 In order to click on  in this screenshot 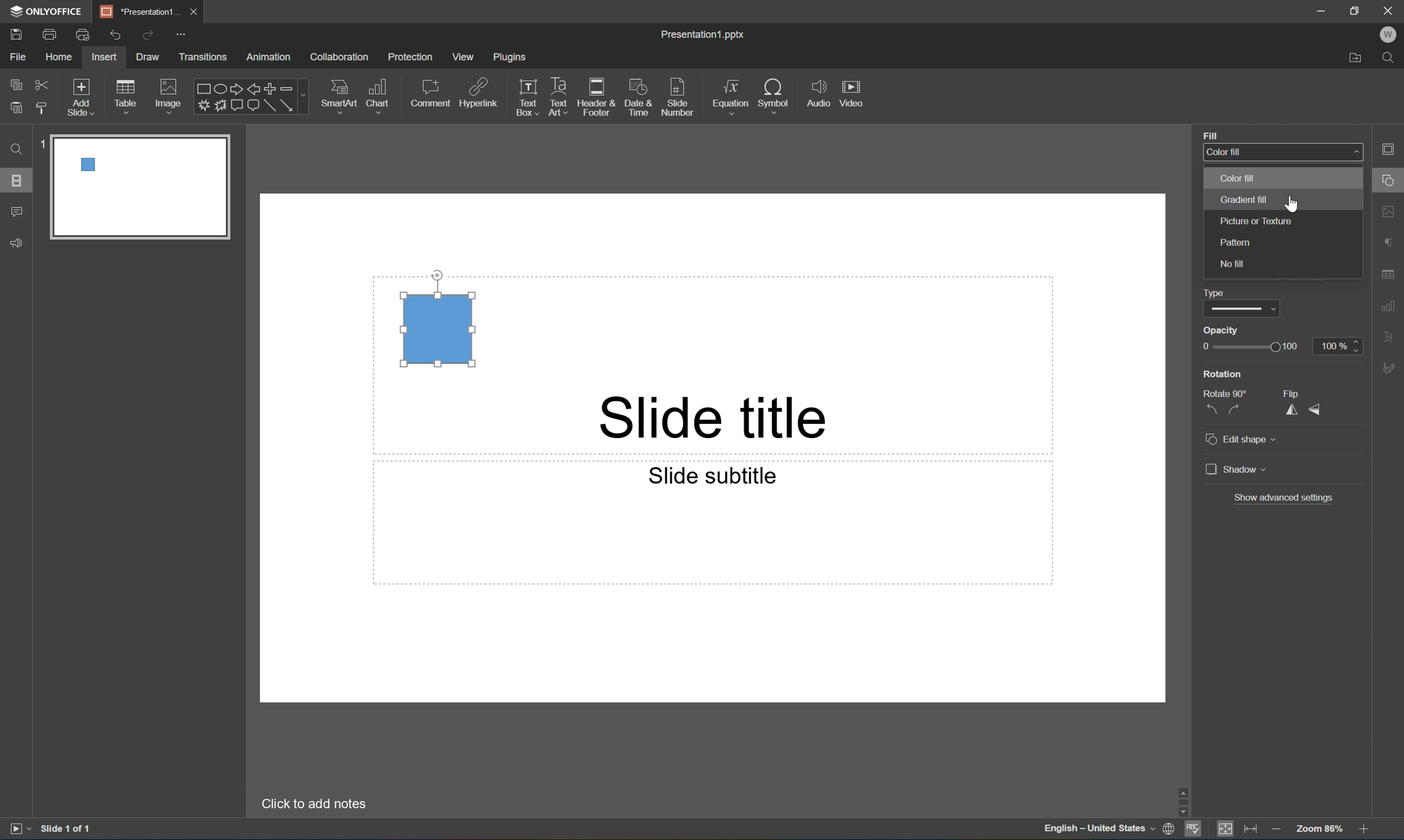, I will do `click(236, 104)`.